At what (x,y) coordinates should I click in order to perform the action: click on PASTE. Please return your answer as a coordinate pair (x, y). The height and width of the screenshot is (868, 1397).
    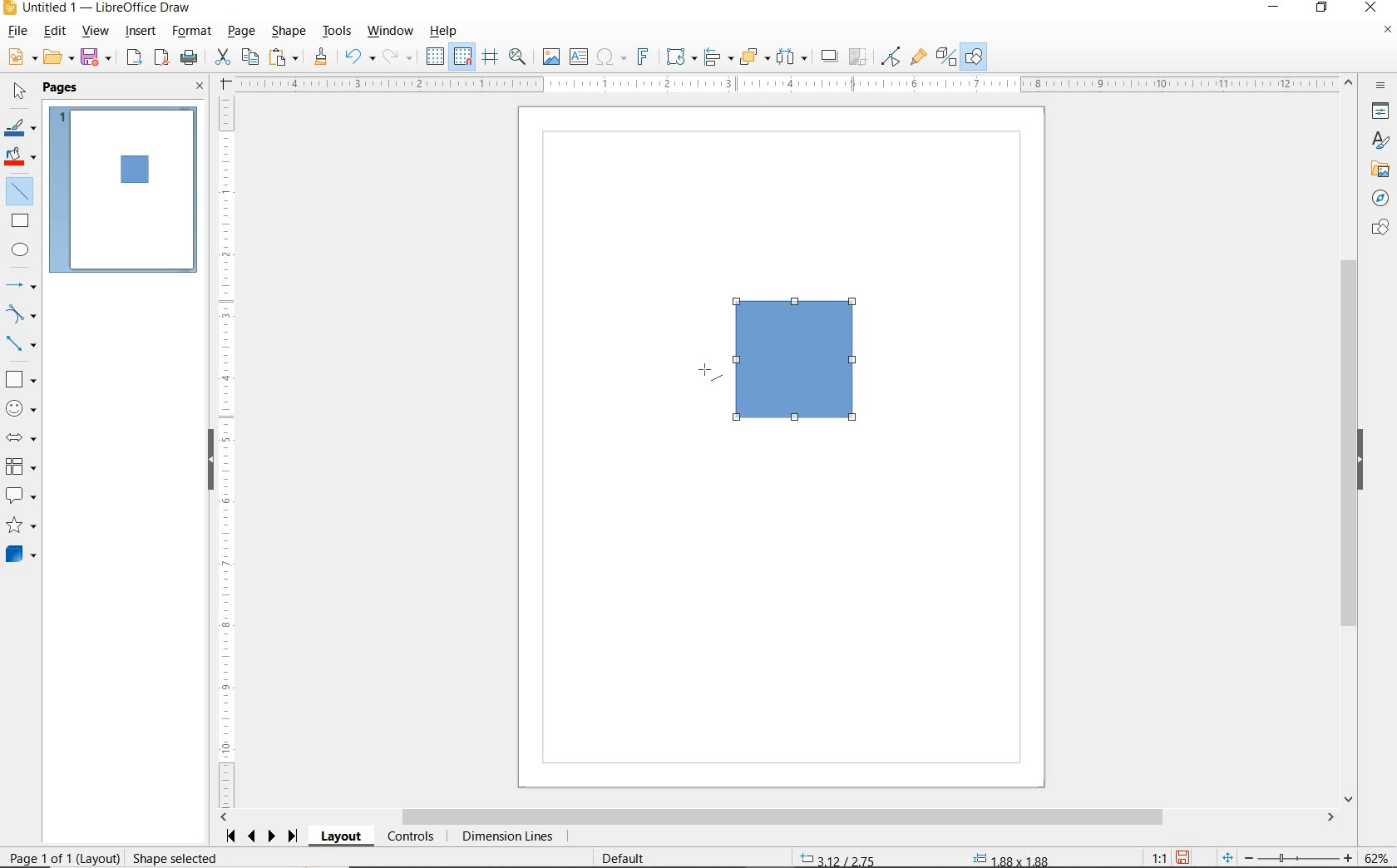
    Looking at the image, I should click on (284, 57).